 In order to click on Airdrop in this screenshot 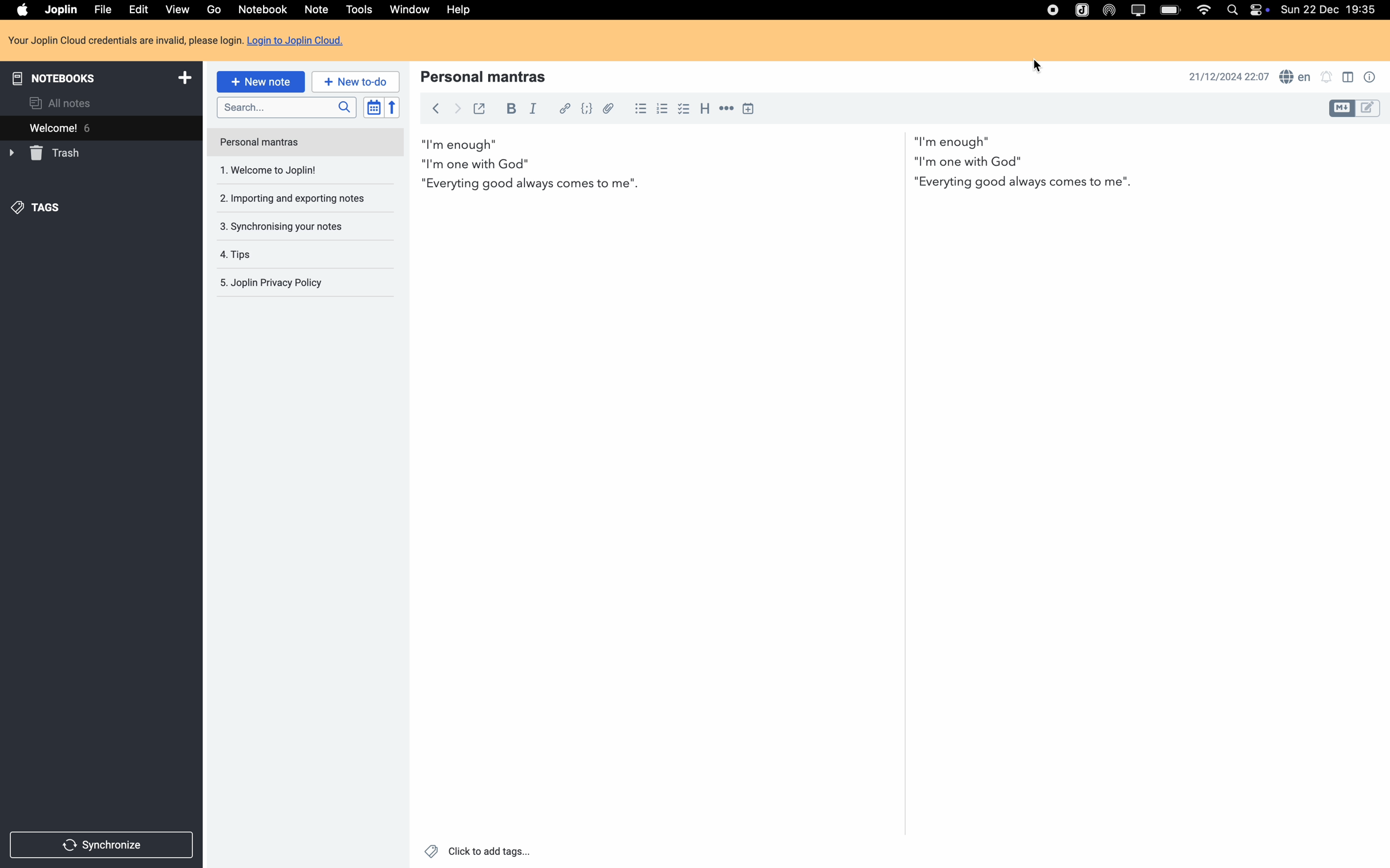, I will do `click(1109, 9)`.